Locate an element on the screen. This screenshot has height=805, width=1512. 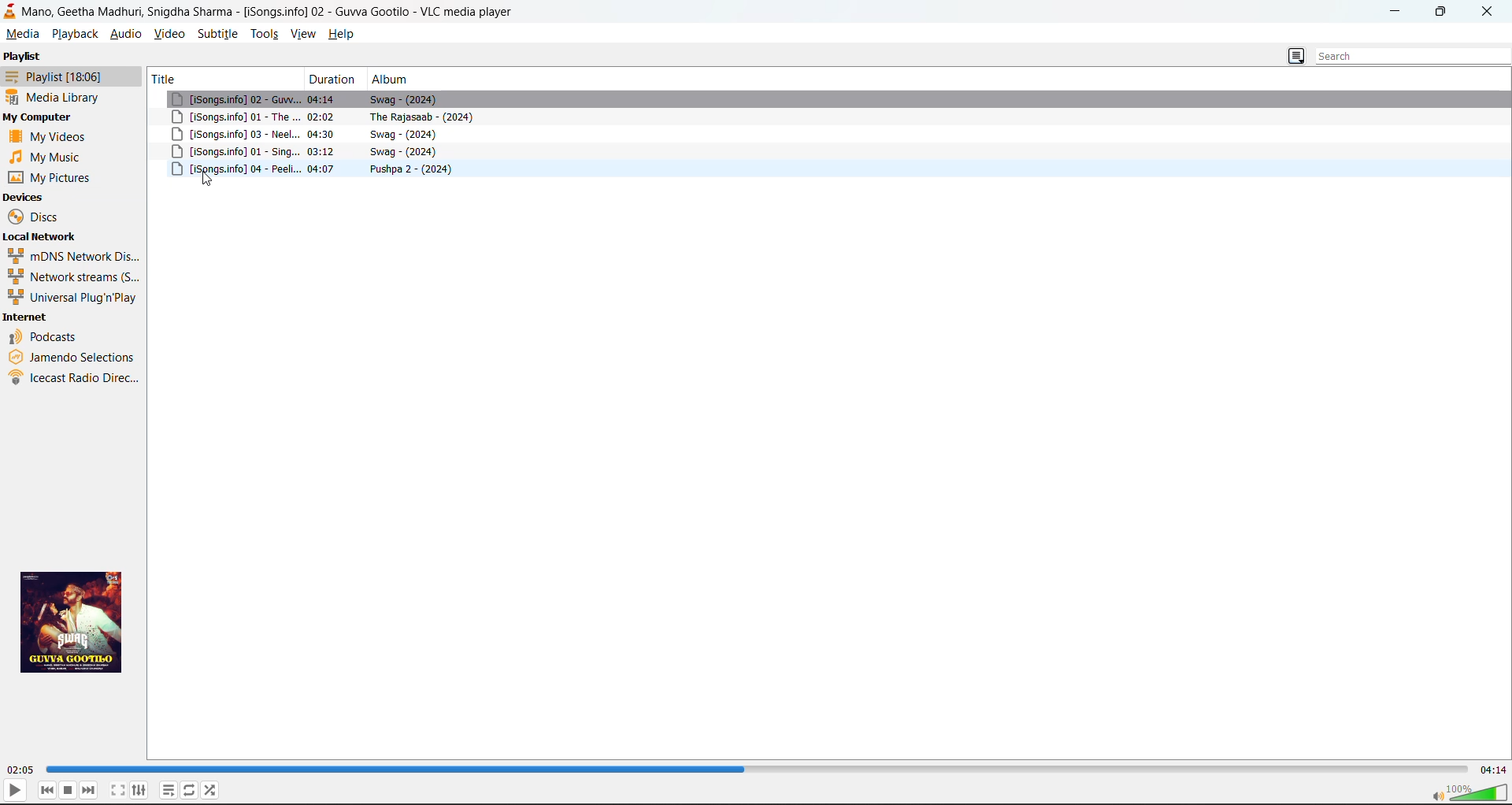
my computer is located at coordinates (39, 117).